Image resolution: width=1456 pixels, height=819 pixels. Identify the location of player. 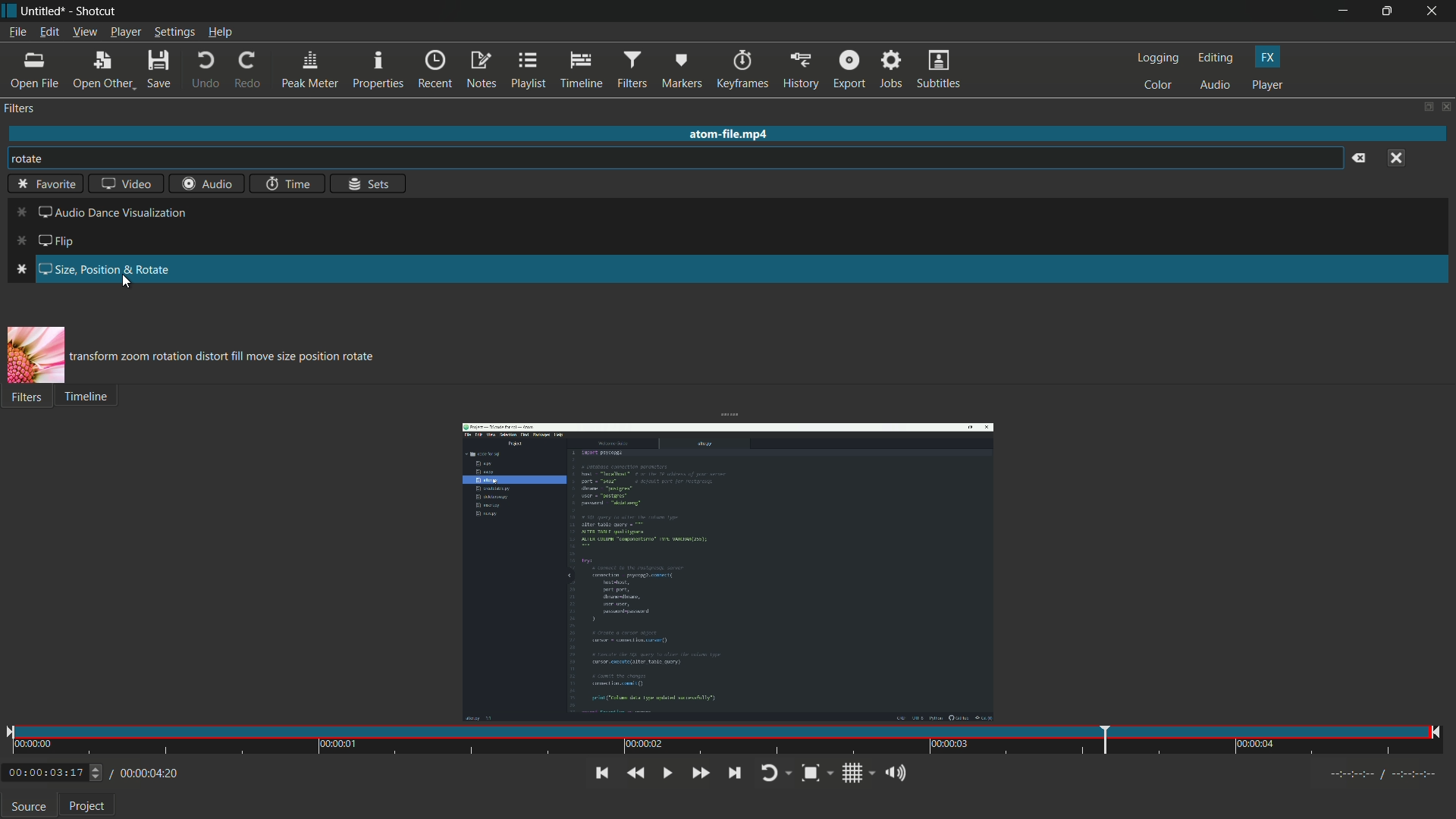
(1270, 85).